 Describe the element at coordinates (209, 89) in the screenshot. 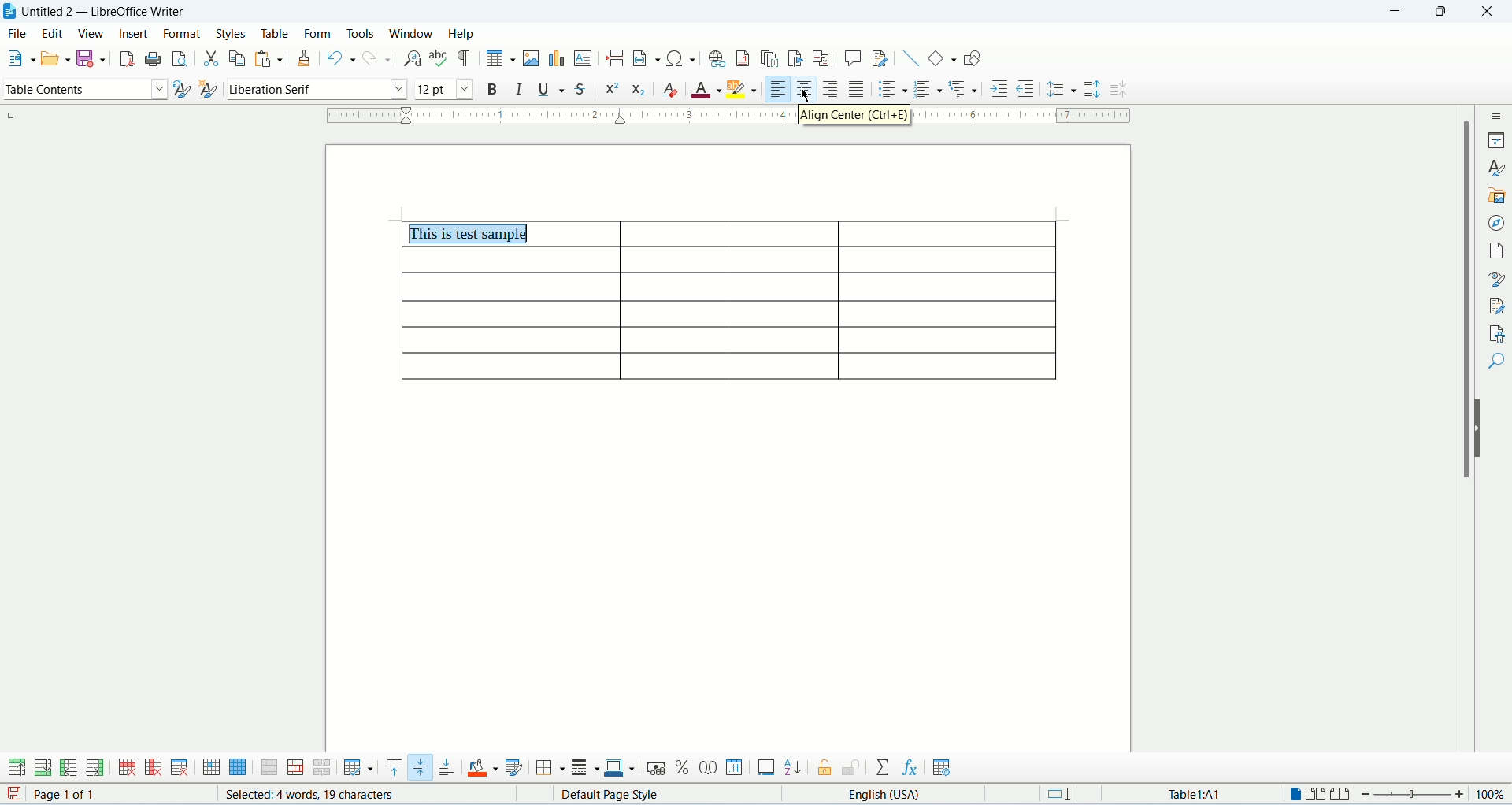

I see `new style` at that location.